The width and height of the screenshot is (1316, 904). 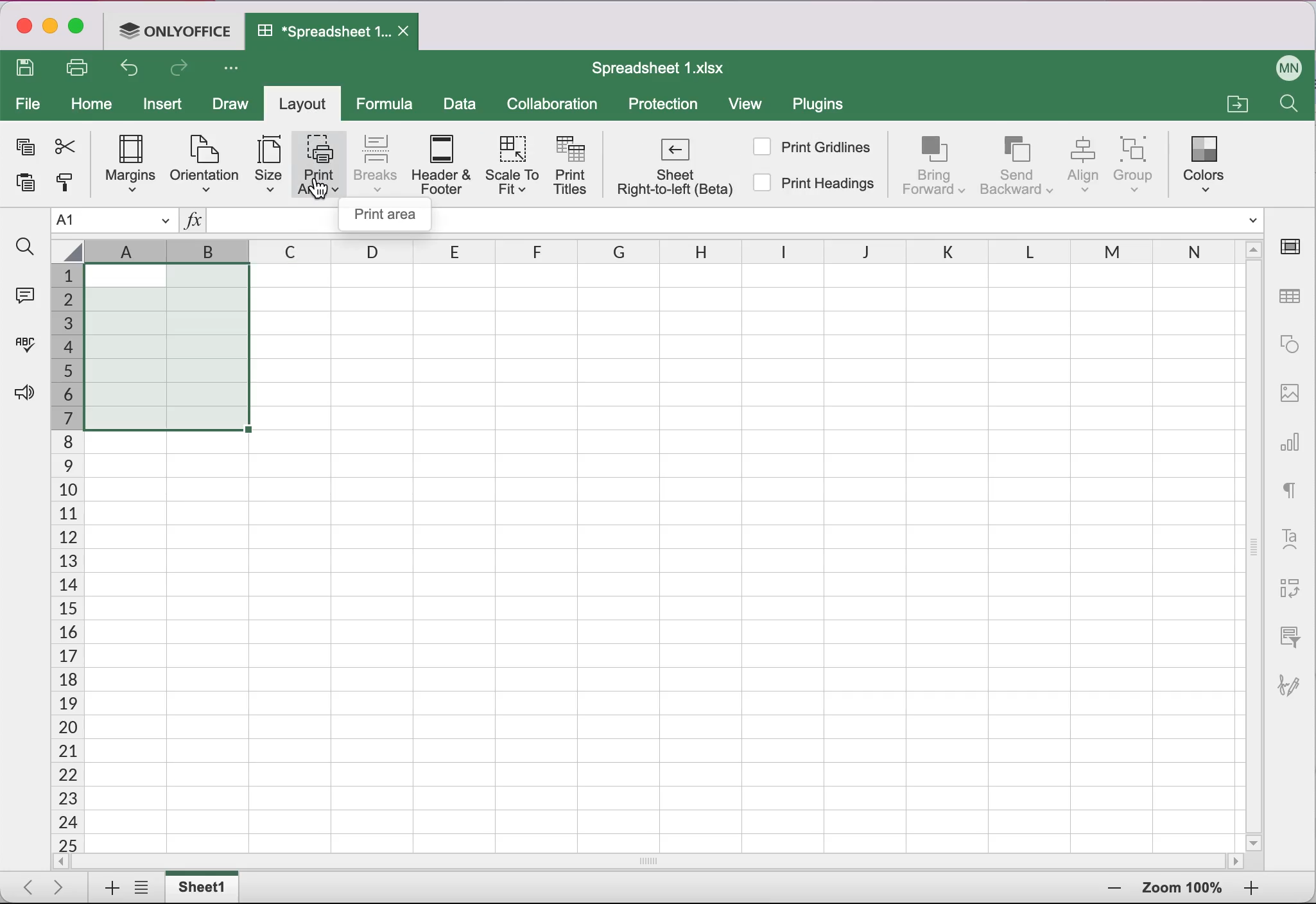 What do you see at coordinates (1290, 487) in the screenshot?
I see `text` at bounding box center [1290, 487].